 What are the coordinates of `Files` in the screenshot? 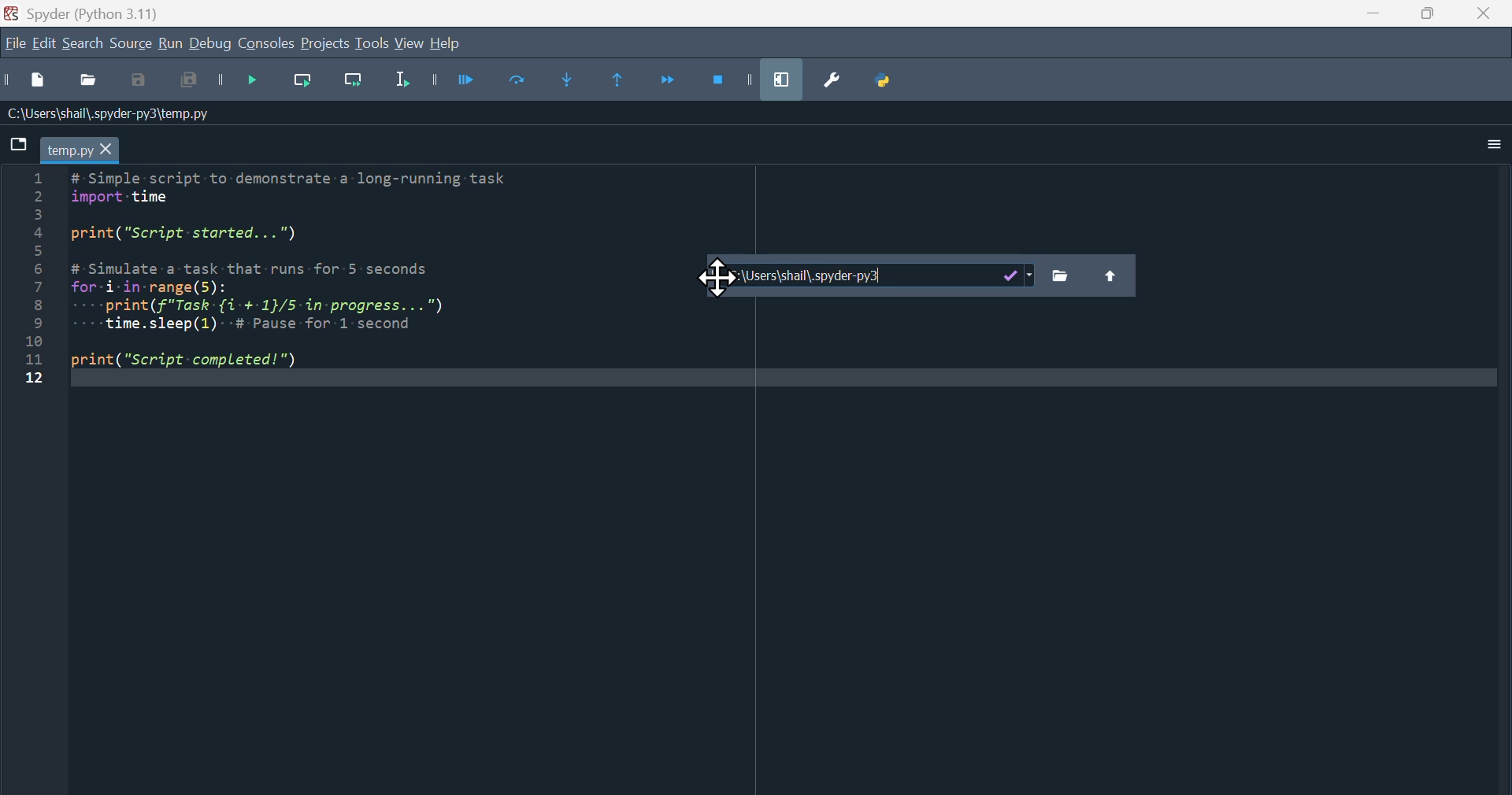 It's located at (1060, 276).